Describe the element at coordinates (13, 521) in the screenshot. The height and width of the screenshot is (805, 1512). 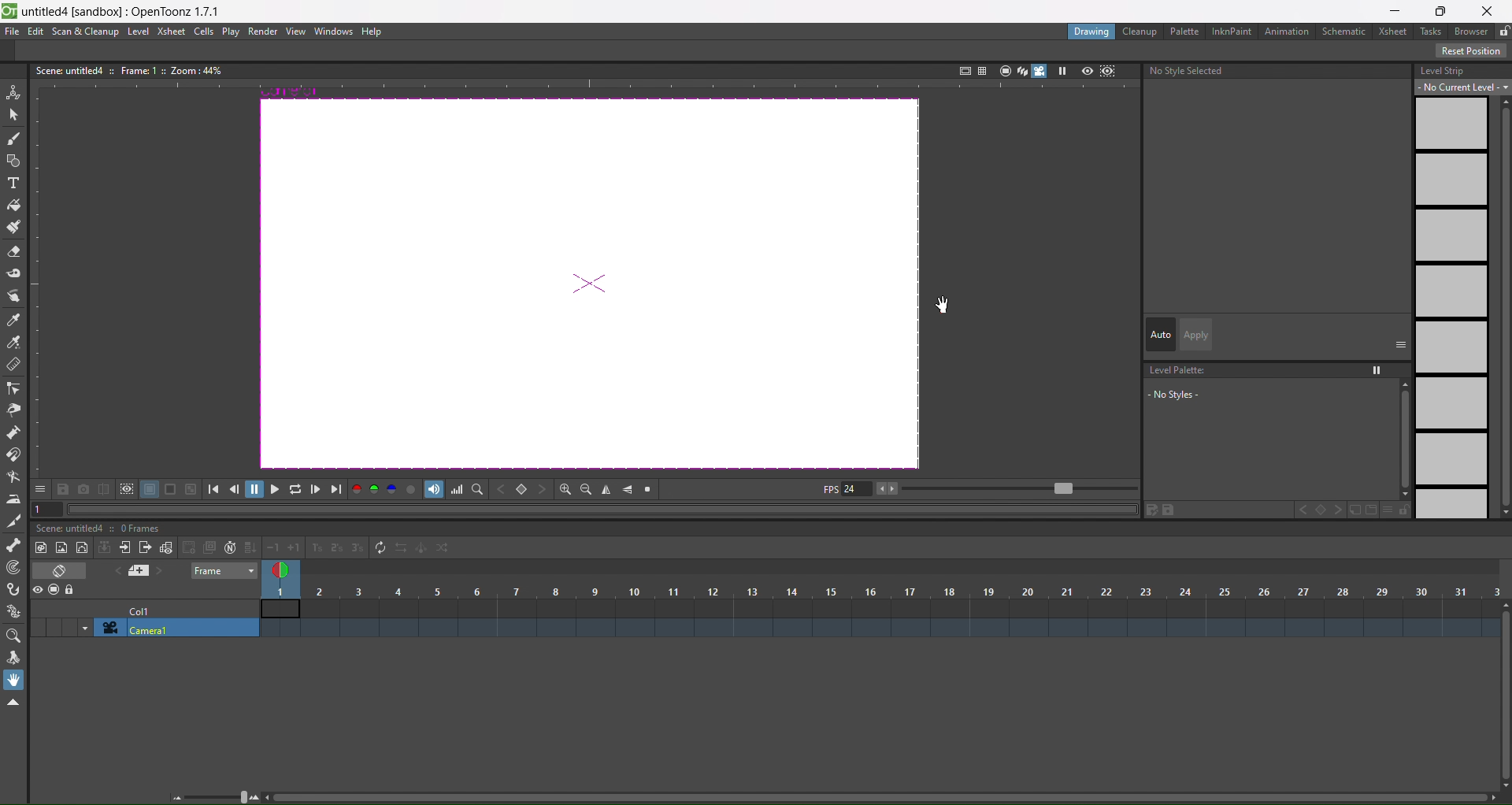
I see `cutter tool` at that location.